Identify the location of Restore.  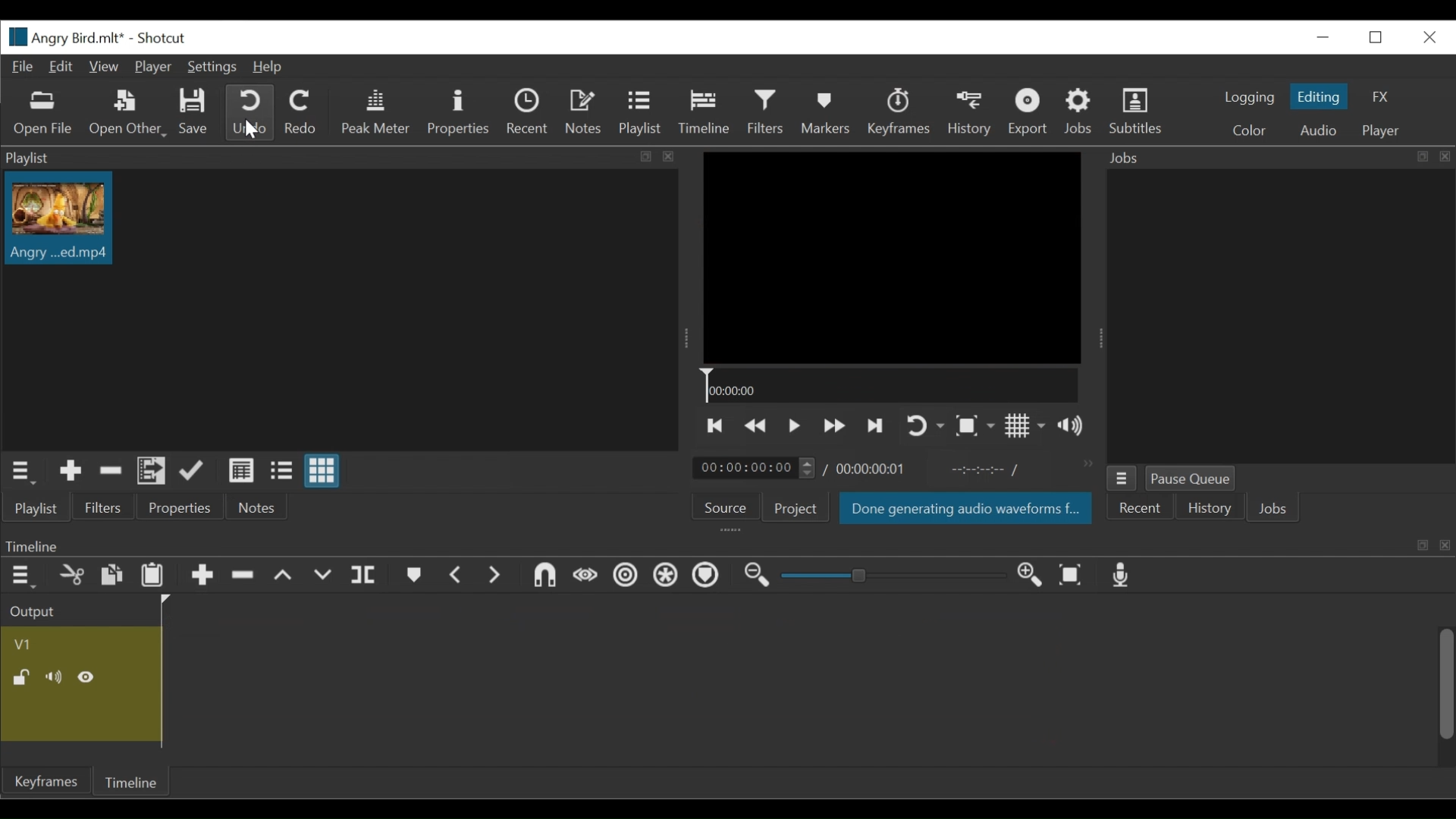
(1377, 37).